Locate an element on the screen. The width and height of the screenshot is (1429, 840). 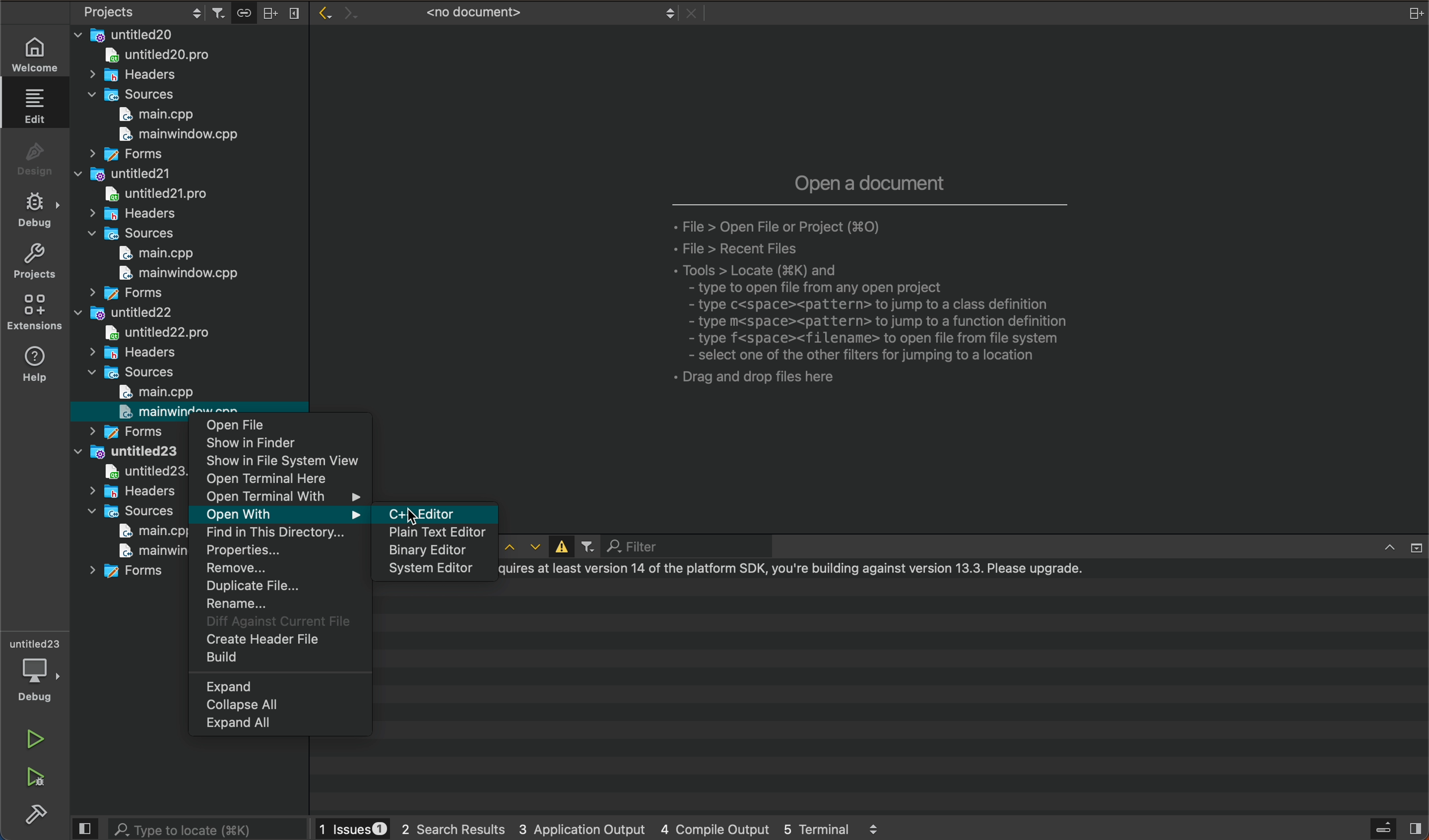
binary editor is located at coordinates (433, 551).